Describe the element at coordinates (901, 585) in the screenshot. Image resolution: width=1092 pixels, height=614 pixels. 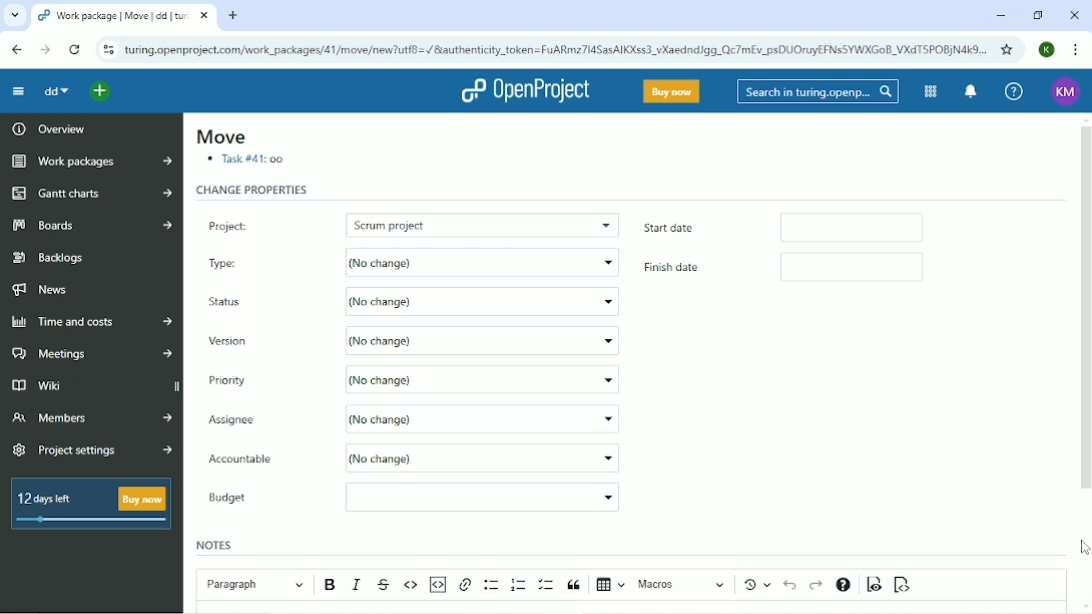
I see `Switch to markdown source` at that location.